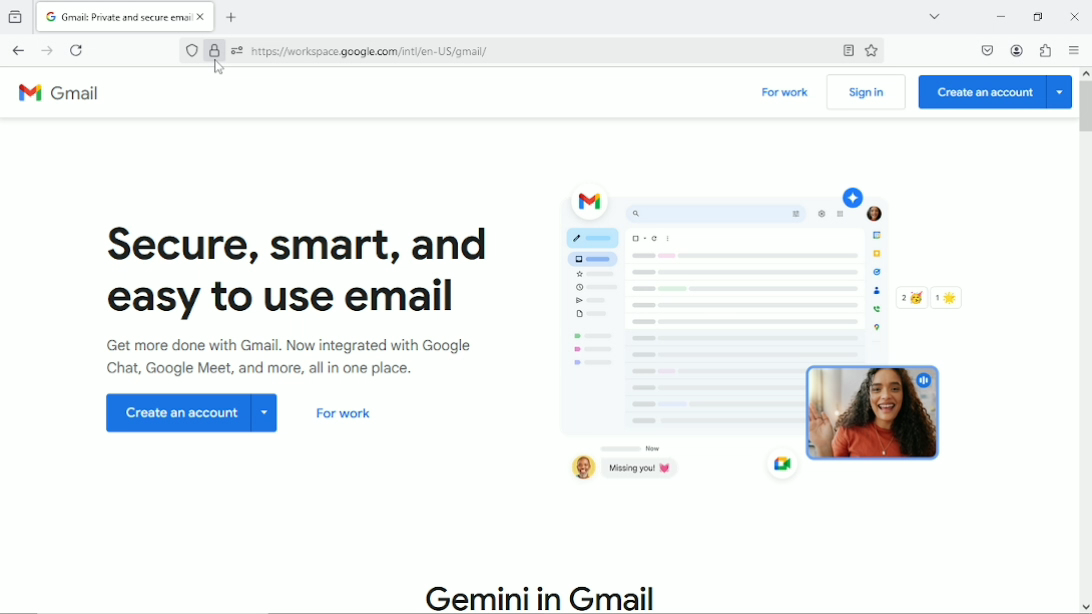 Image resolution: width=1092 pixels, height=614 pixels. Describe the element at coordinates (337, 412) in the screenshot. I see `For work` at that location.